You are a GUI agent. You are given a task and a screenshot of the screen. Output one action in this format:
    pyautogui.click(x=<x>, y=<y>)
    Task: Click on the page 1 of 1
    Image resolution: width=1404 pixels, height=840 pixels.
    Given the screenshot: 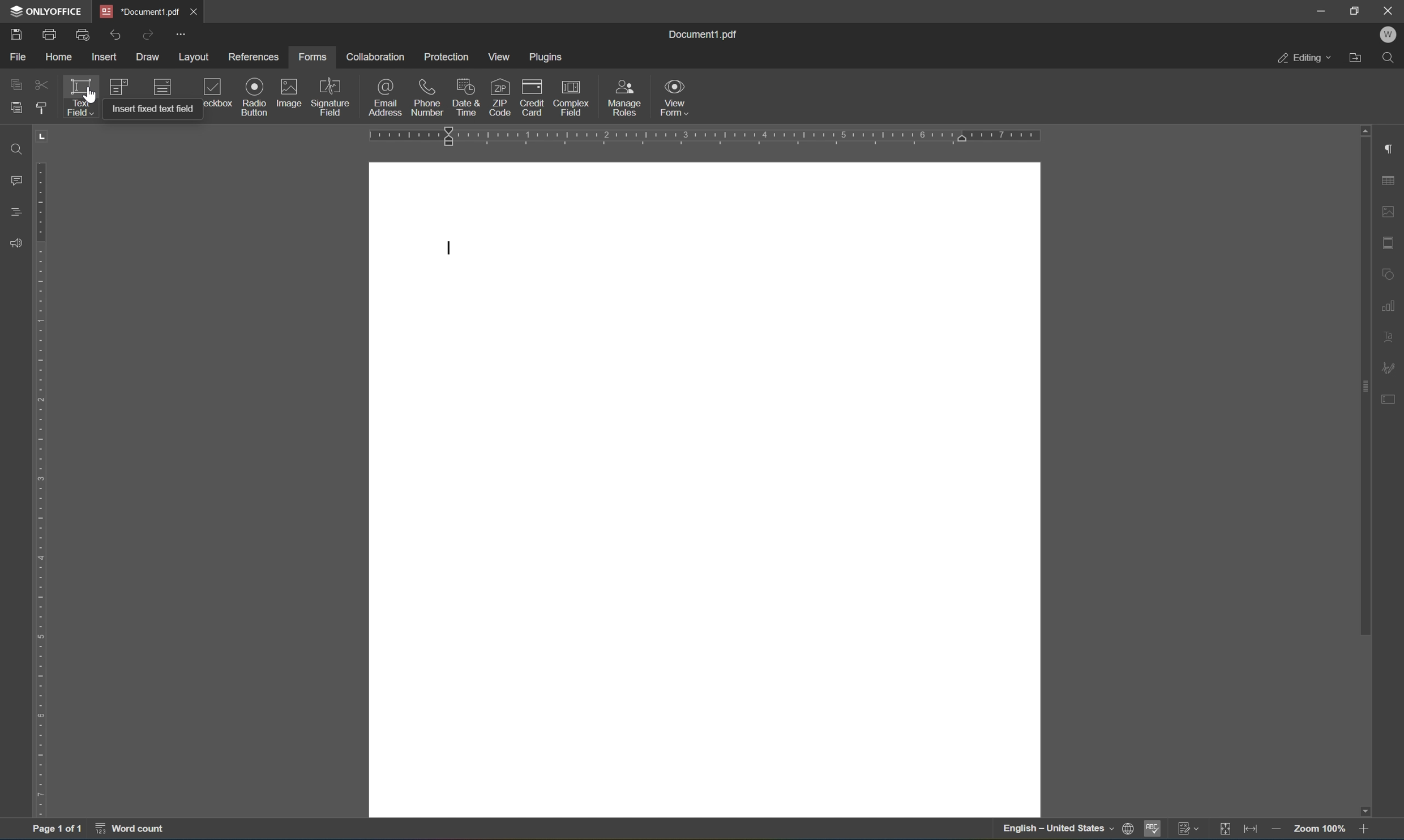 What is the action you would take?
    pyautogui.click(x=57, y=831)
    